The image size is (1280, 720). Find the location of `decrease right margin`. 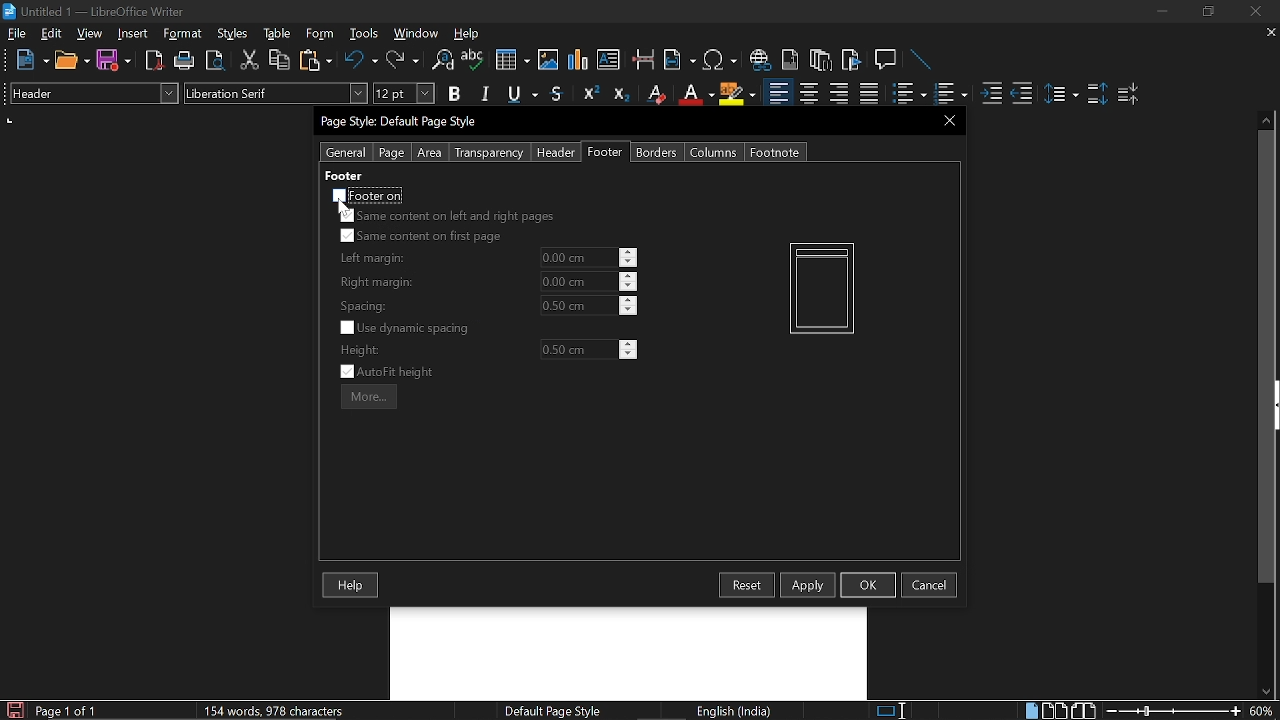

decrease right margin is located at coordinates (629, 288).